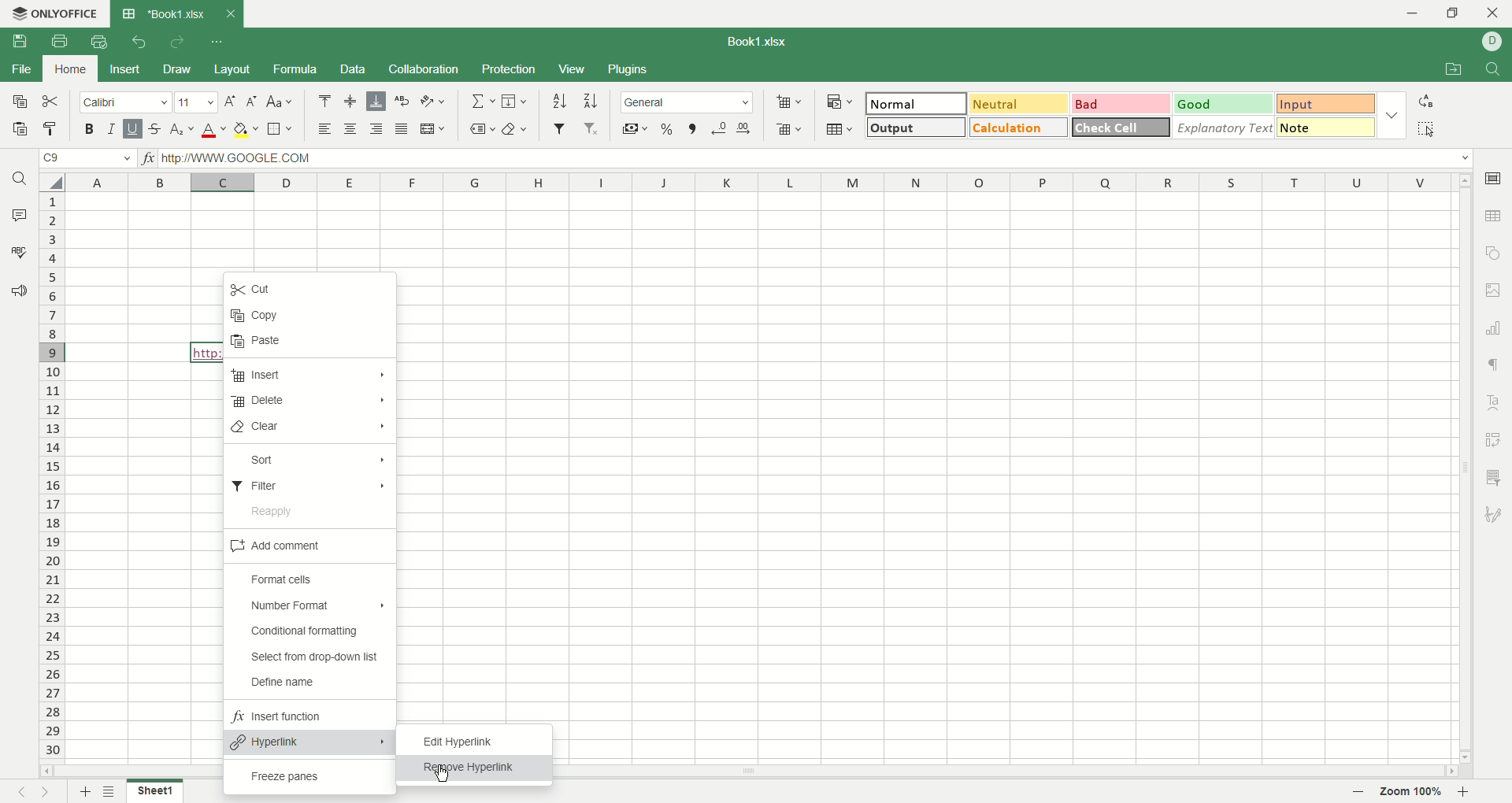 The height and width of the screenshot is (803, 1512). I want to click on percent style, so click(666, 129).